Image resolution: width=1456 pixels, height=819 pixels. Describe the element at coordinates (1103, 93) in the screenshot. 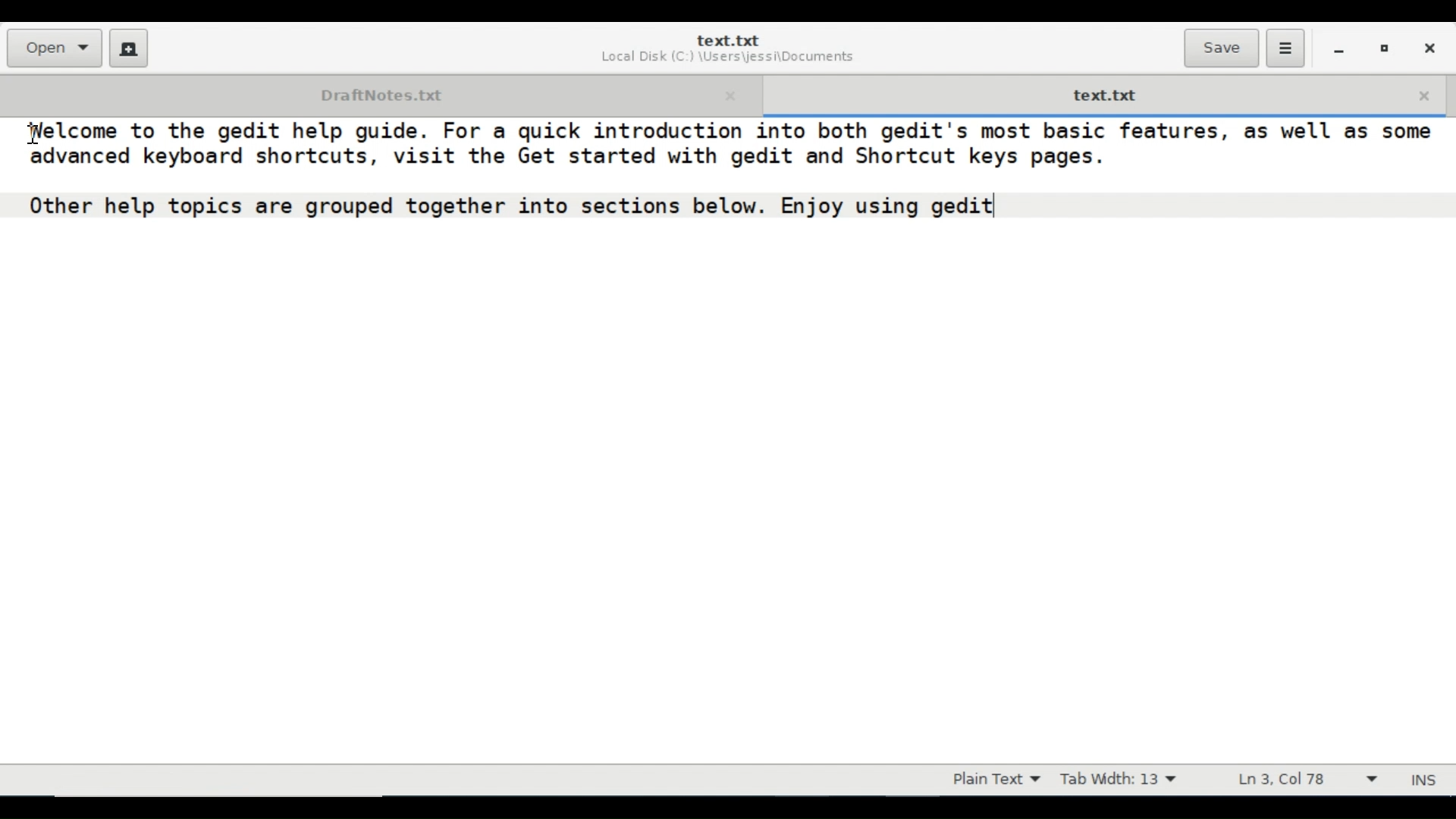

I see `Current tan` at that location.